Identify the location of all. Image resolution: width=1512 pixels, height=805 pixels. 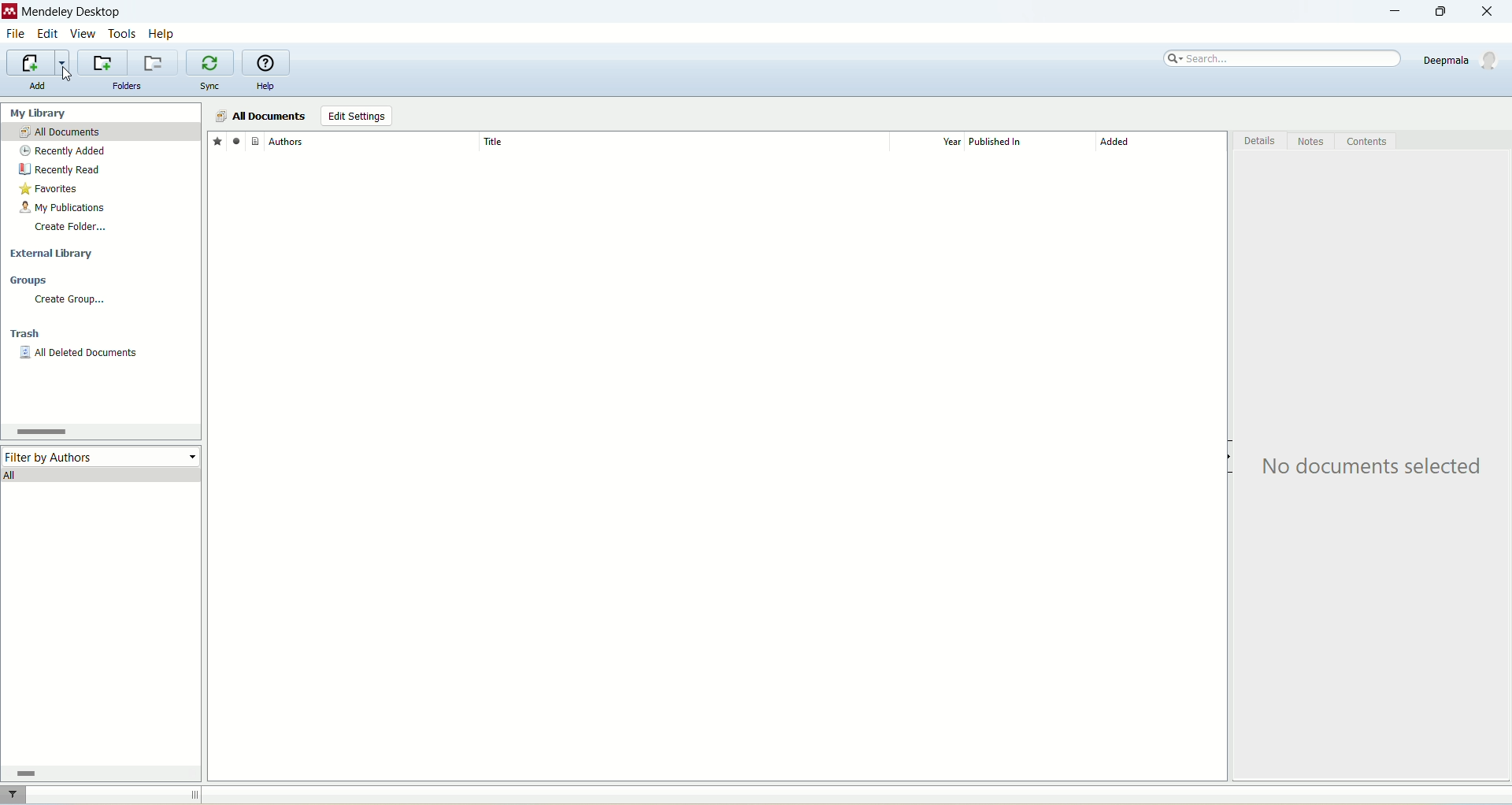
(102, 474).